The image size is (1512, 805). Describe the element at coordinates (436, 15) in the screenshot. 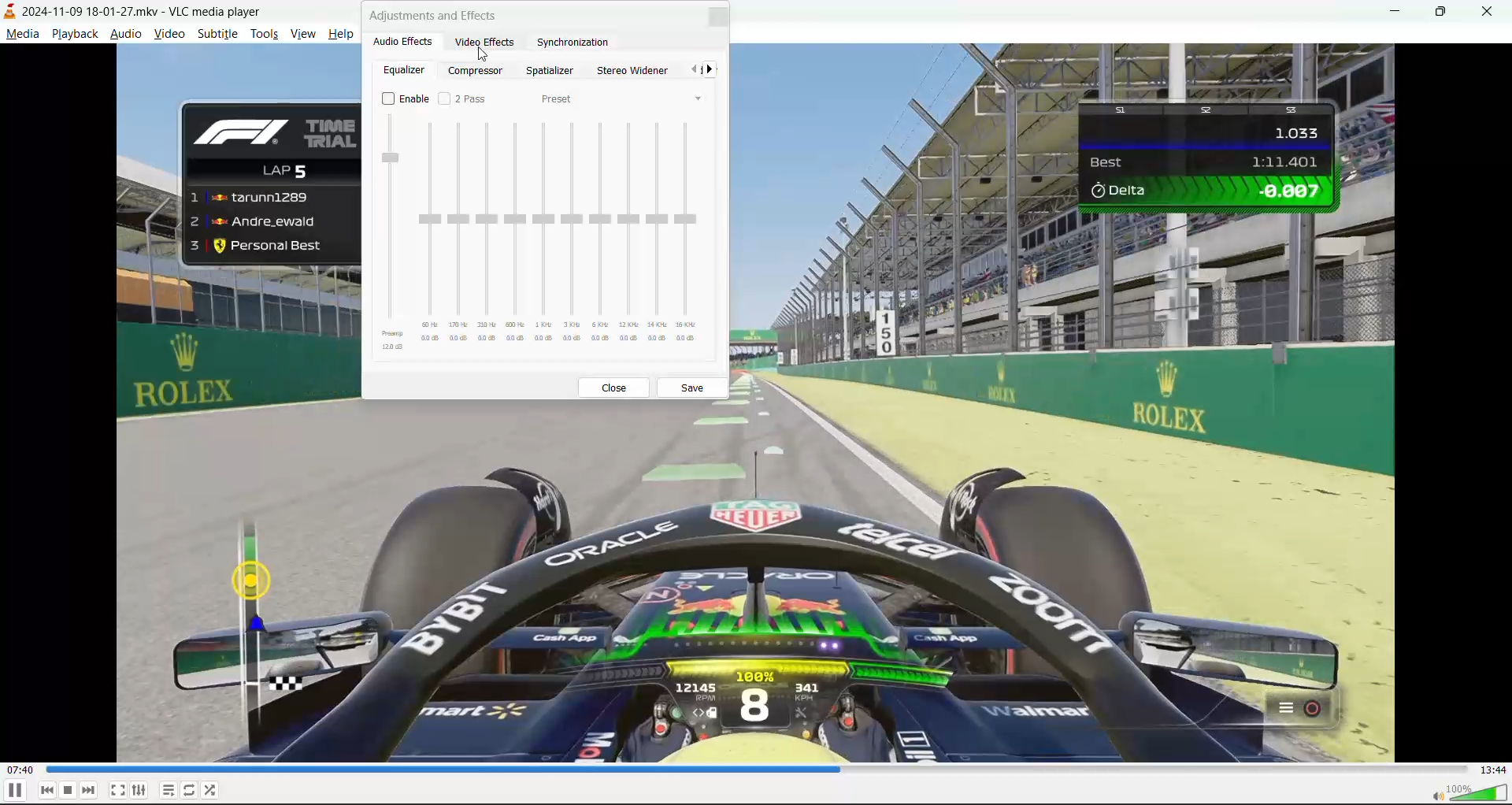

I see `adjustments and effects` at that location.